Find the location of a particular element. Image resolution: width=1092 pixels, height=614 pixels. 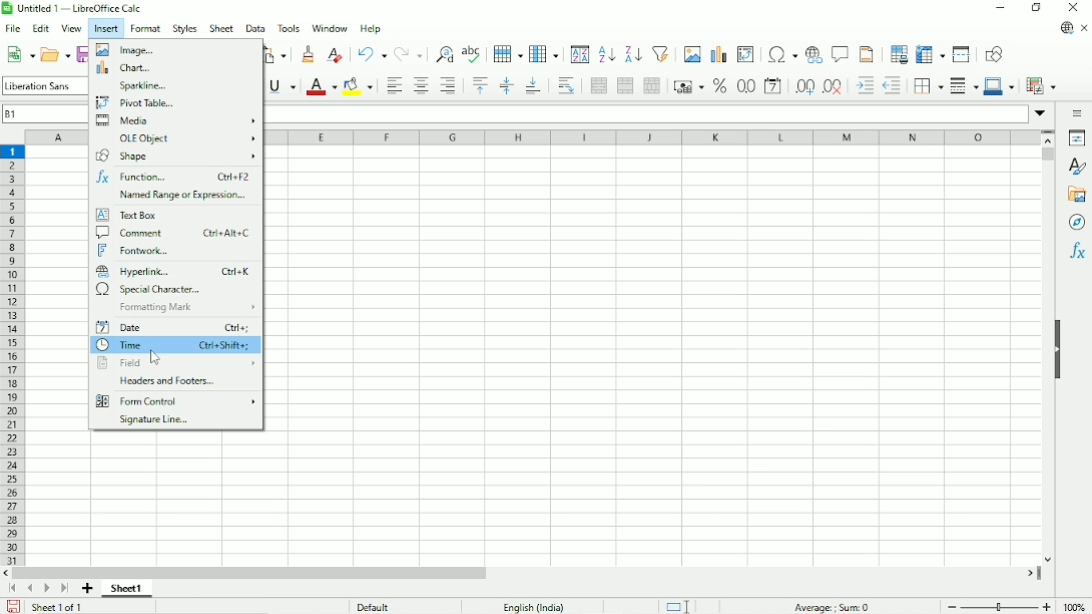

Font color is located at coordinates (322, 85).